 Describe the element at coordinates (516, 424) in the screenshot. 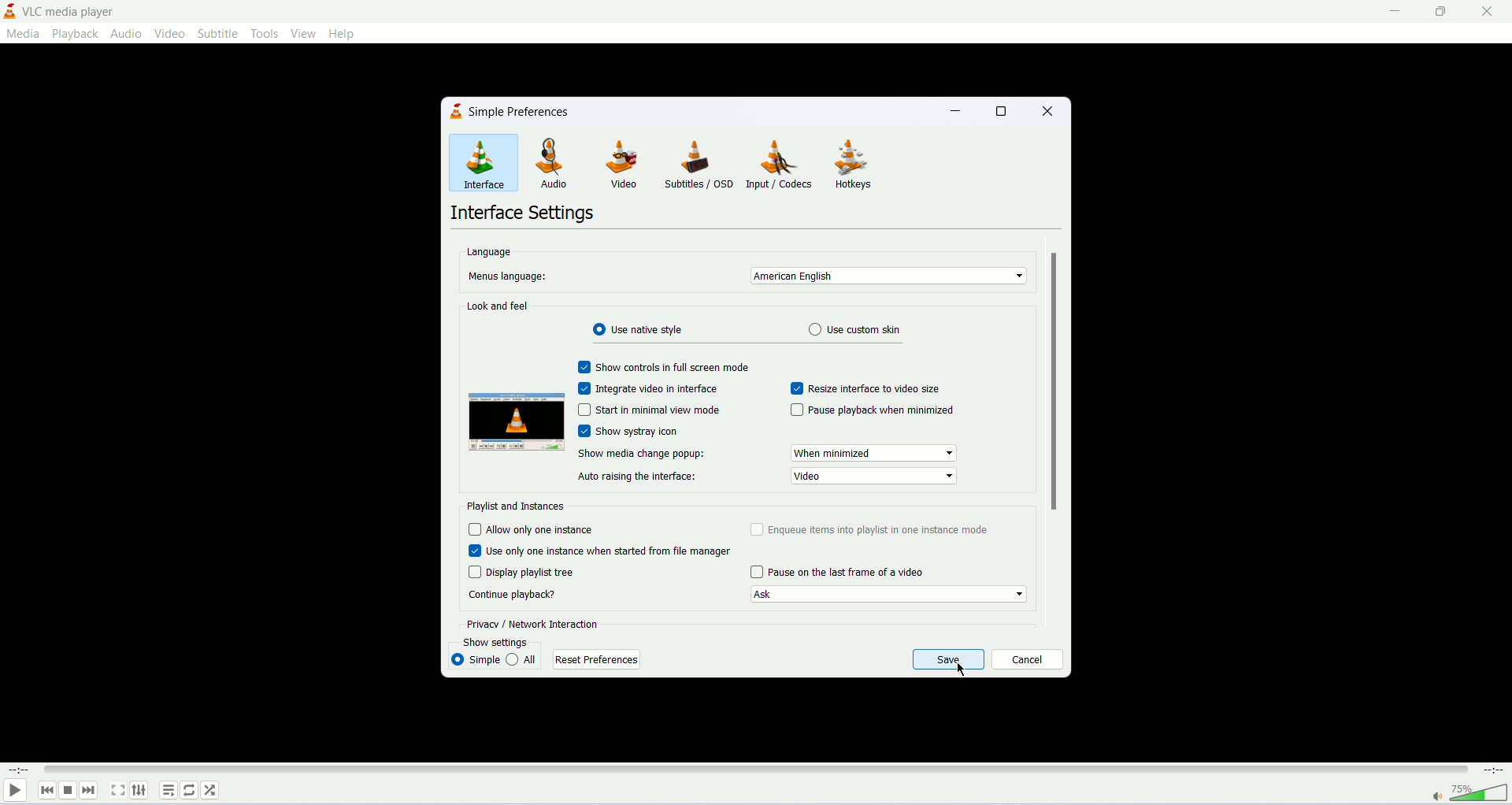

I see `preview` at that location.